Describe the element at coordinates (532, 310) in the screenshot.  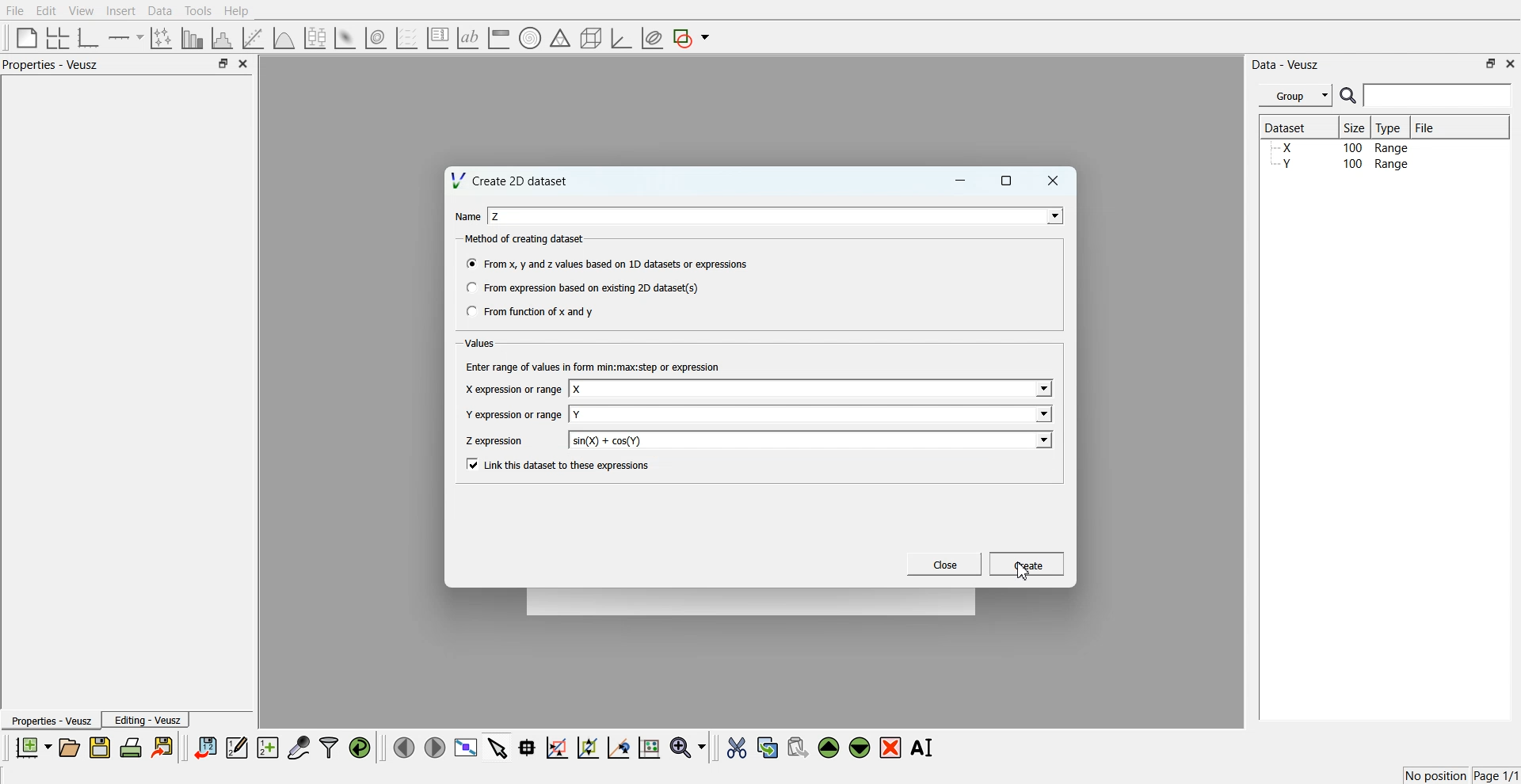
I see `From function of x and y` at that location.